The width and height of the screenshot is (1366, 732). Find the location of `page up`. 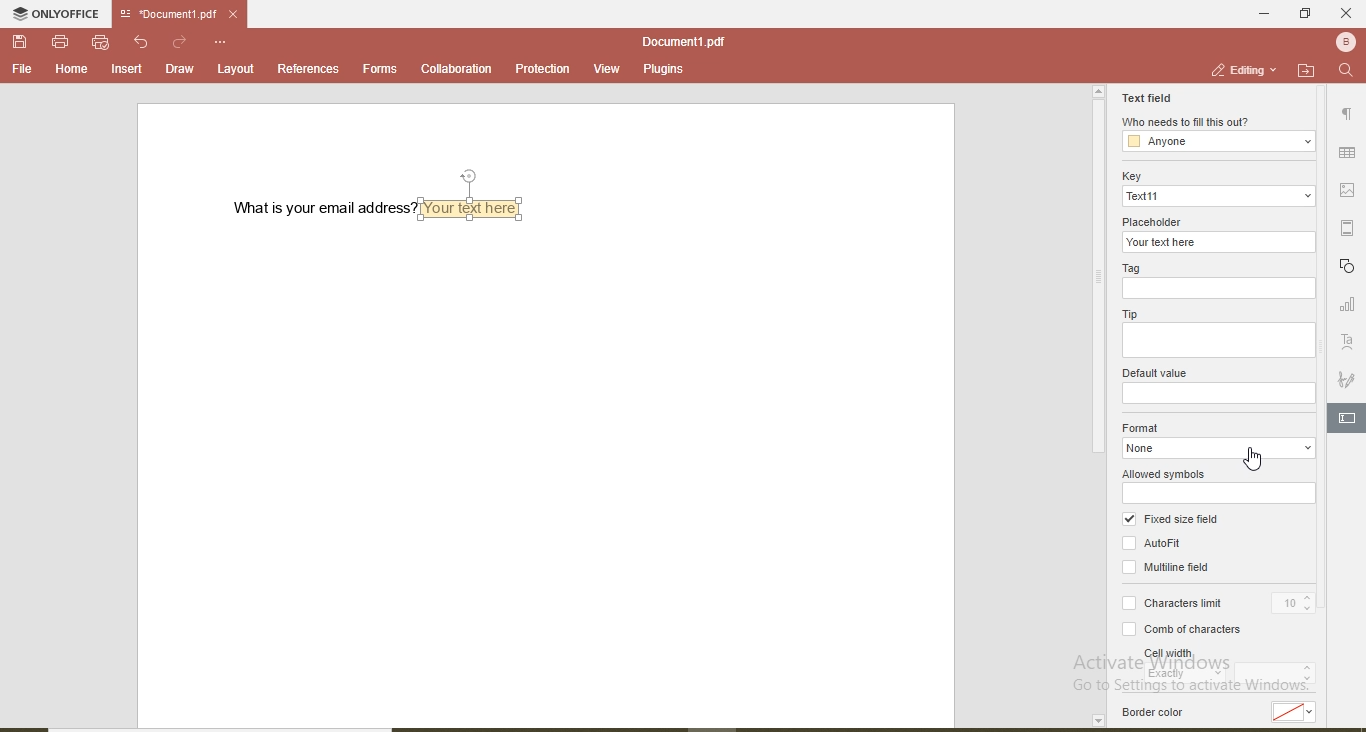

page up is located at coordinates (1098, 92).